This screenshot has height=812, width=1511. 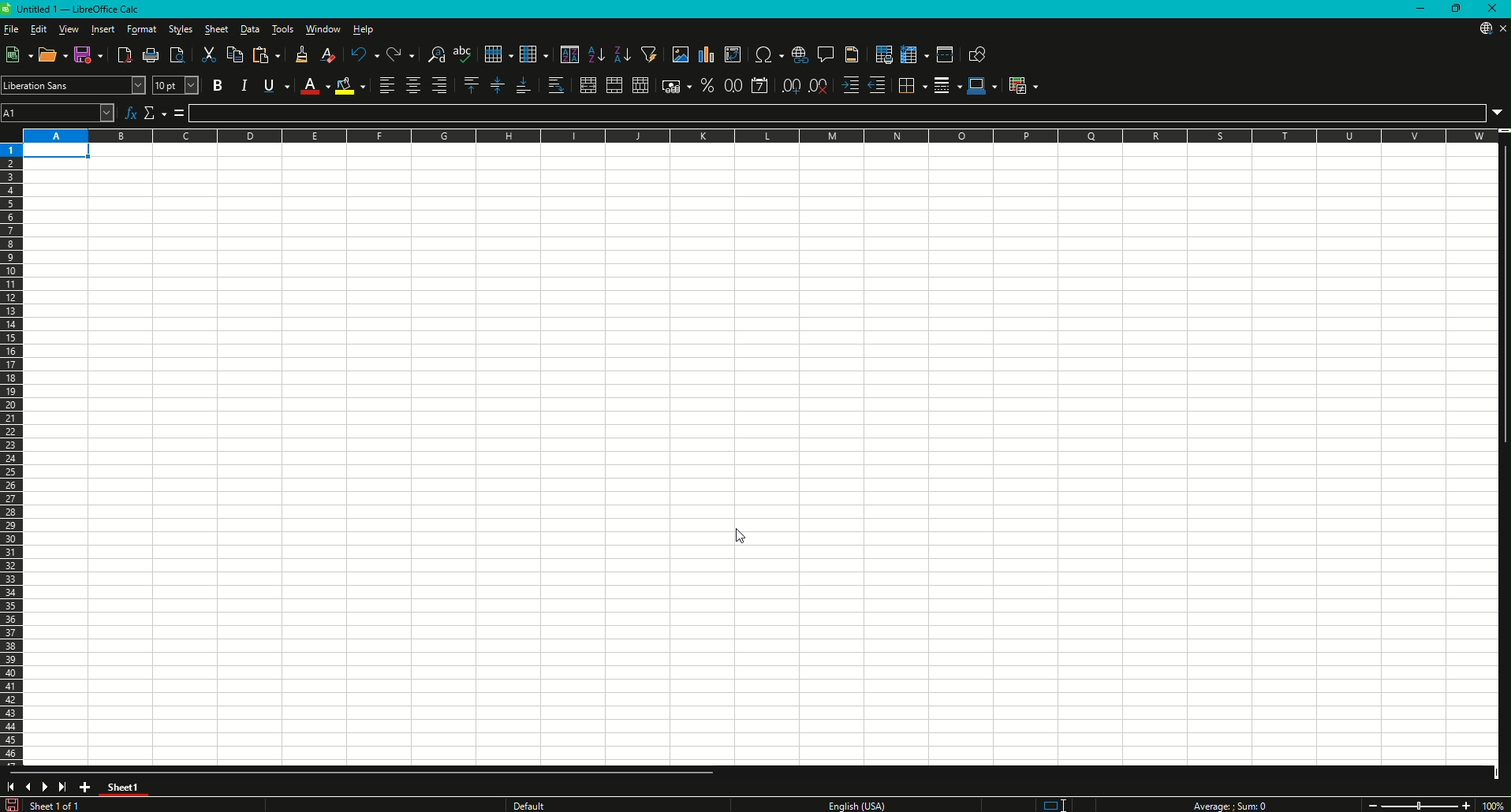 What do you see at coordinates (1372, 806) in the screenshot?
I see `Zoom out` at bounding box center [1372, 806].